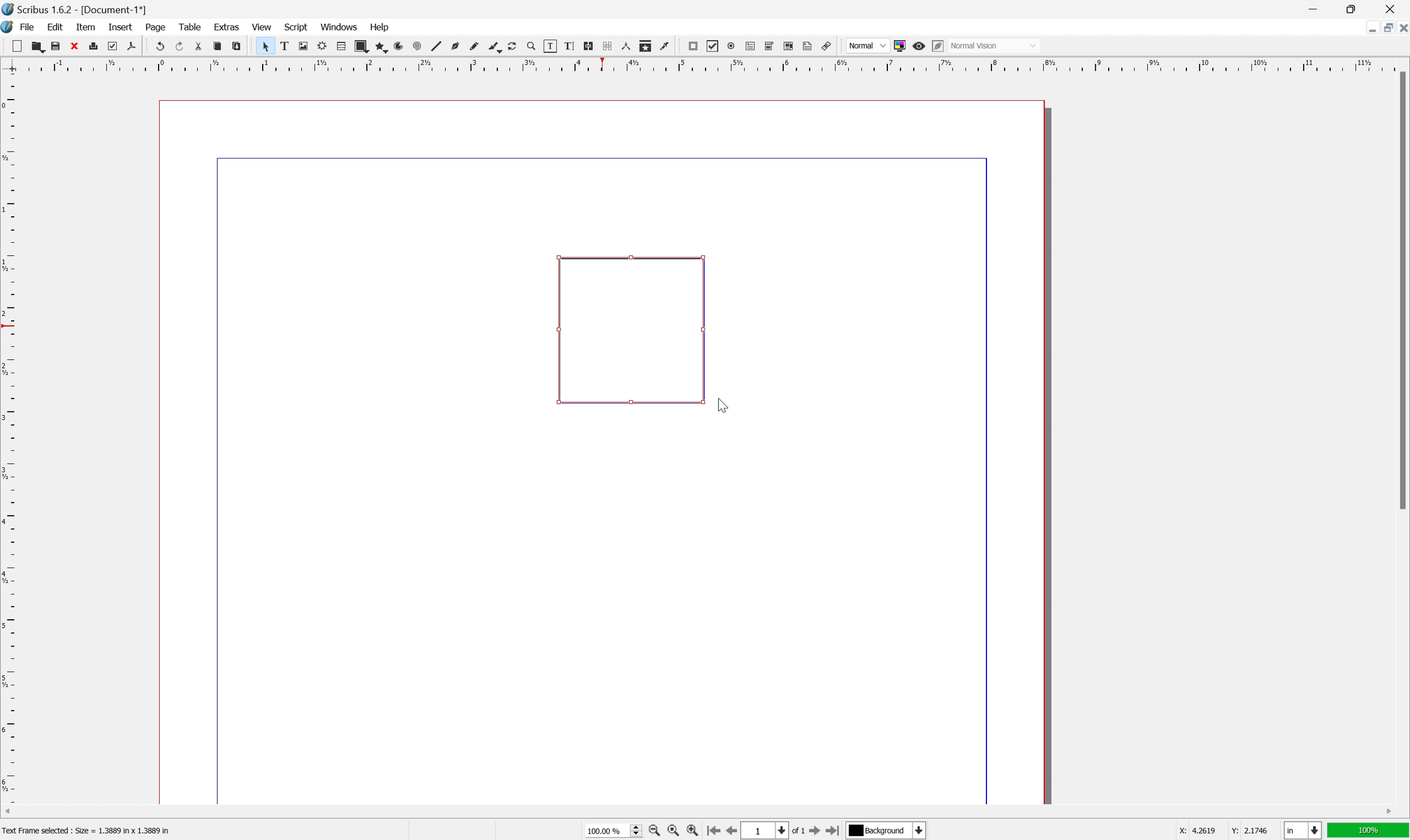  I want to click on page, so click(155, 27).